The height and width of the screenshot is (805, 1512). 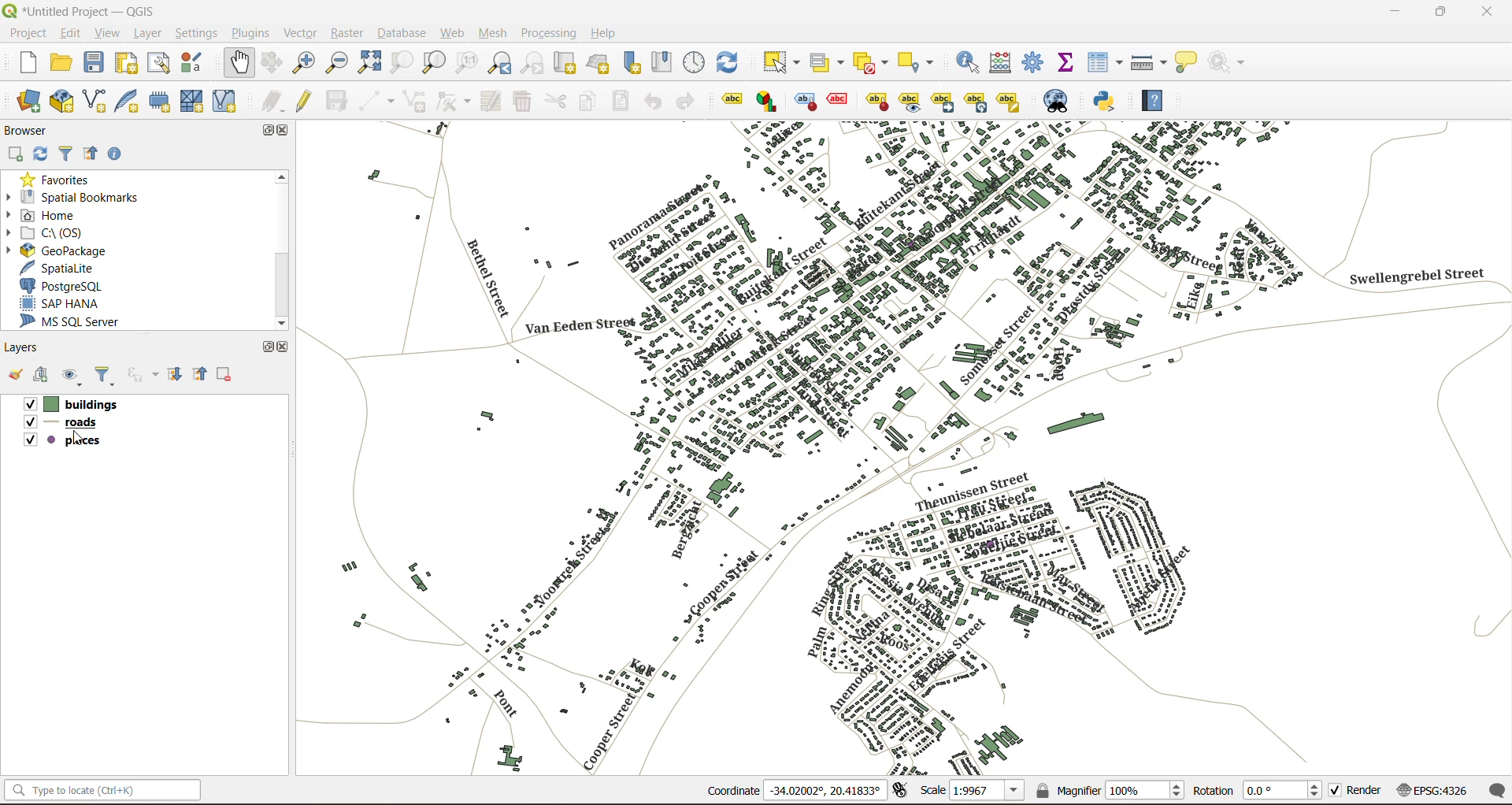 What do you see at coordinates (1354, 789) in the screenshot?
I see `render` at bounding box center [1354, 789].